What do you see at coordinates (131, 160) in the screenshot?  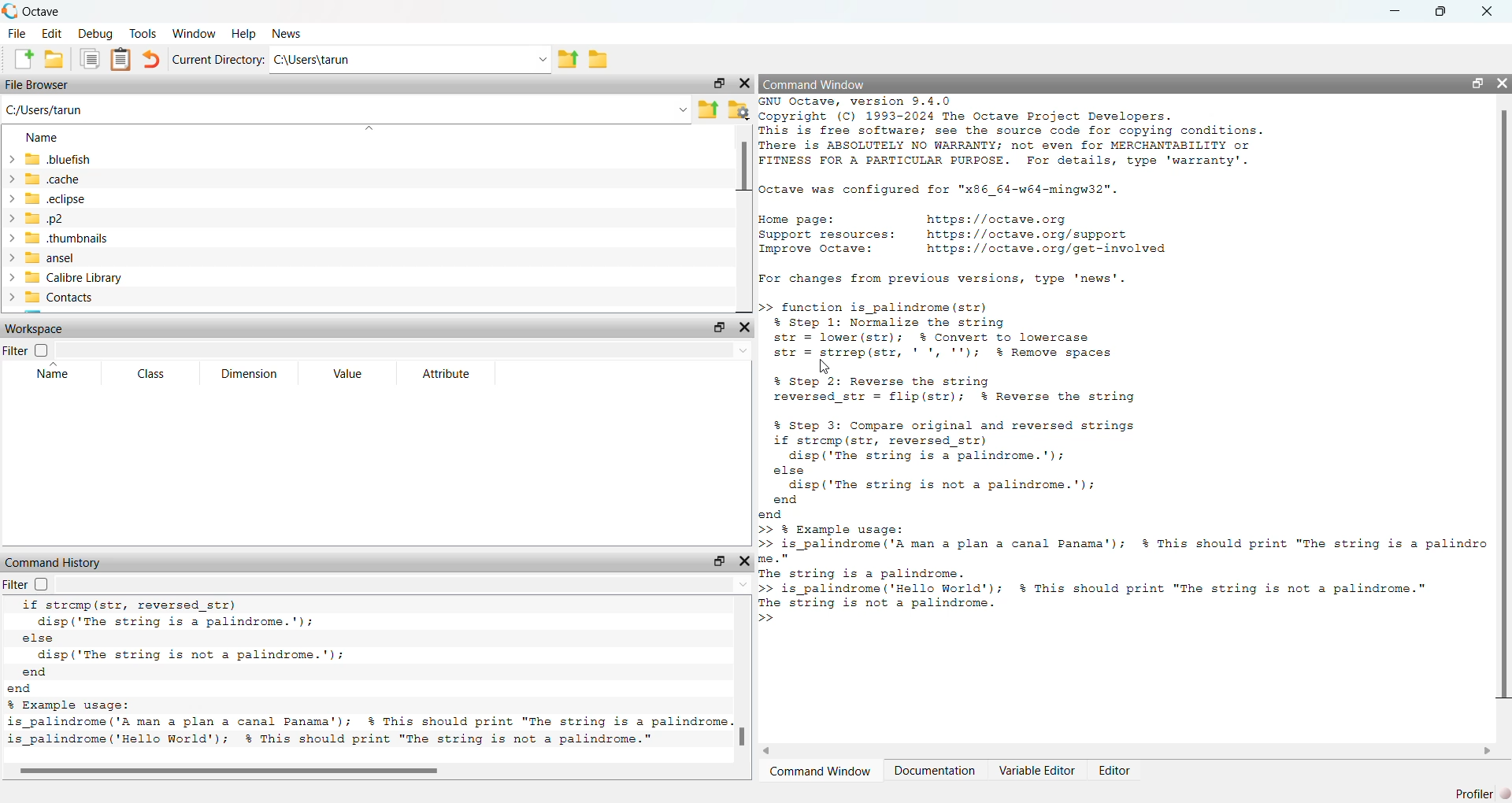 I see `.bluefish` at bounding box center [131, 160].